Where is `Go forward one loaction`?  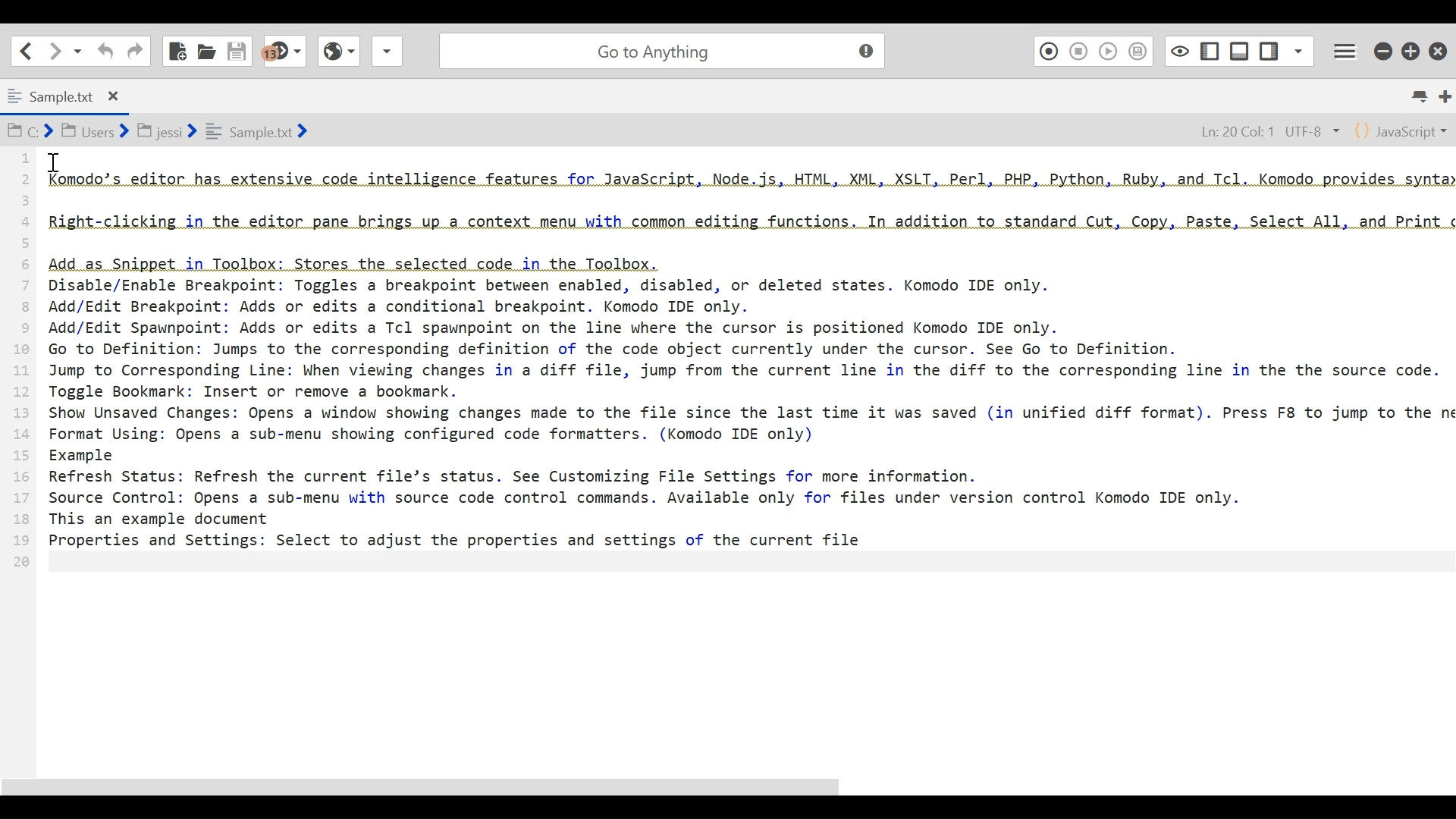 Go forward one loaction is located at coordinates (54, 51).